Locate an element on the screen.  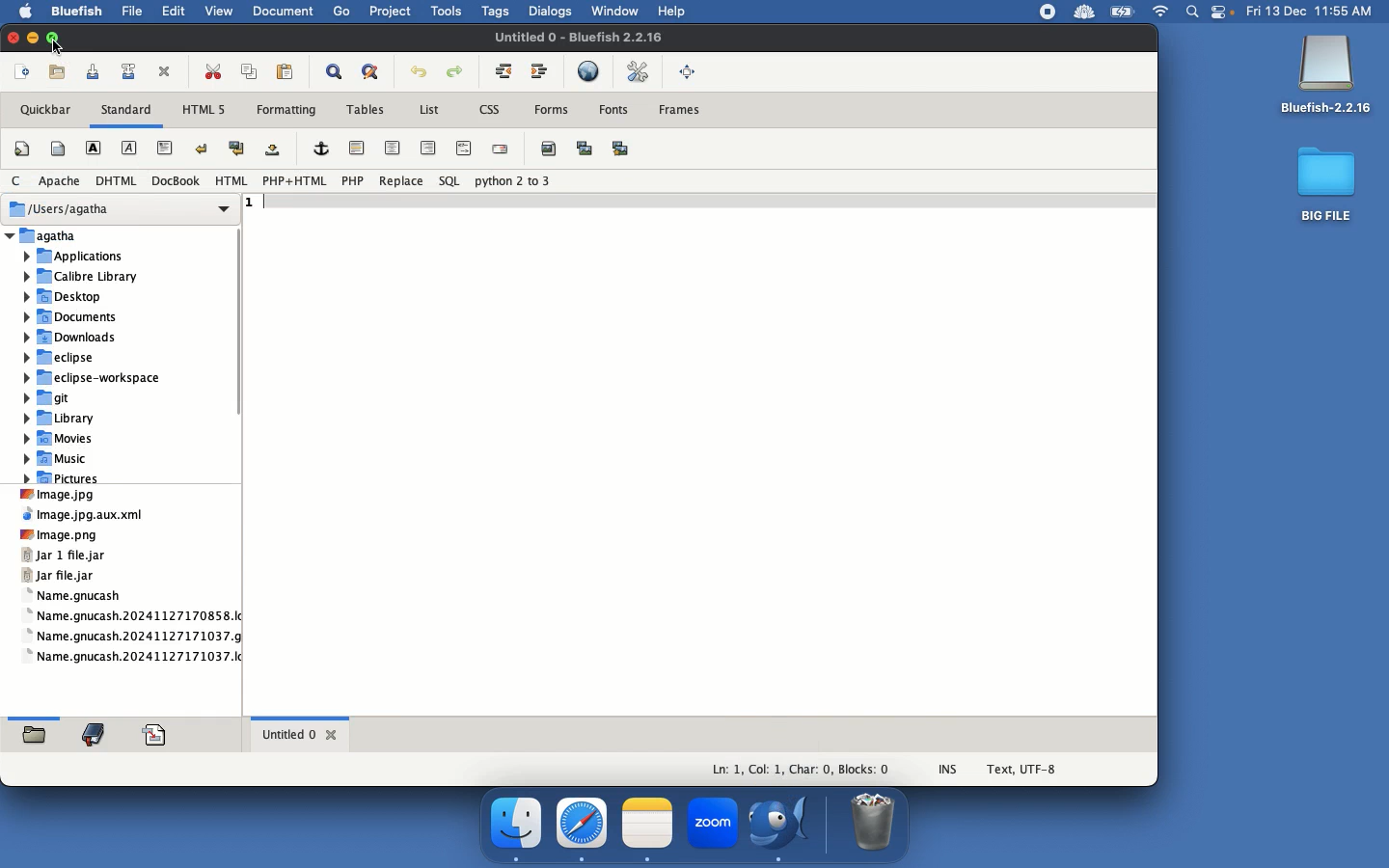
Email is located at coordinates (502, 150).